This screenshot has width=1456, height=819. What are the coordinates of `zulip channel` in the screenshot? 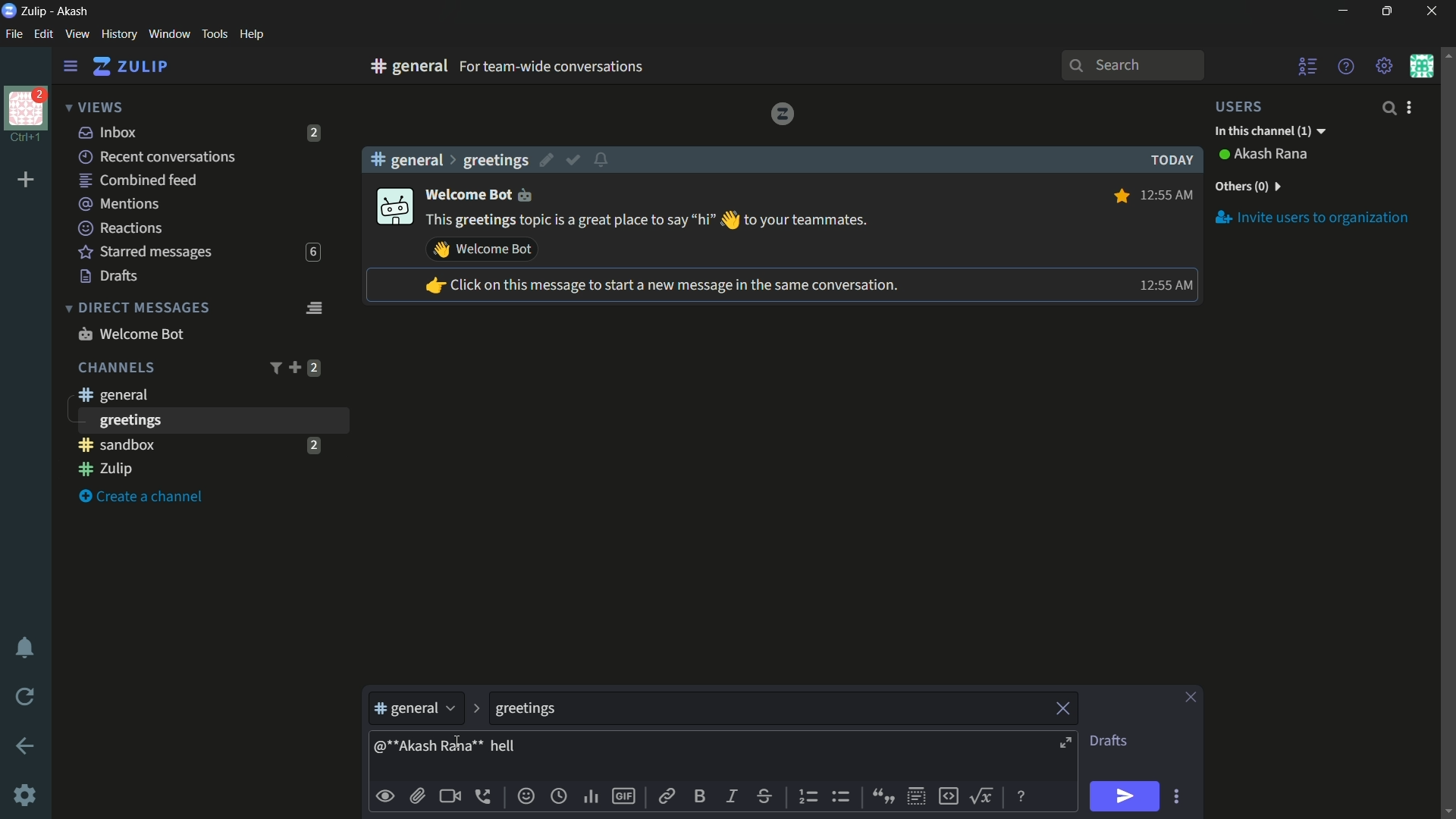 It's located at (205, 470).